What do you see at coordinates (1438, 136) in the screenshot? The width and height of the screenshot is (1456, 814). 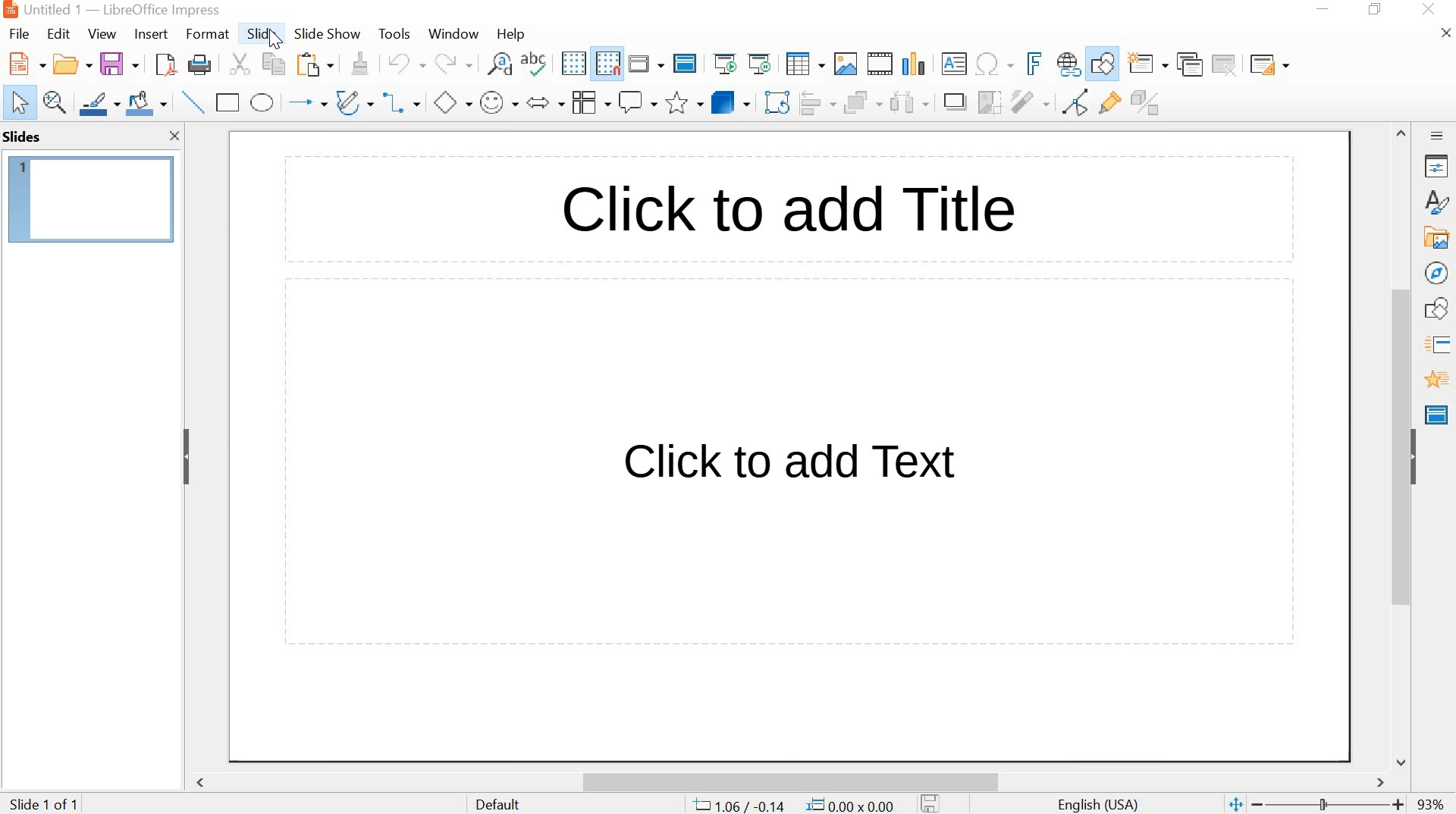 I see `SIDEBAR SETTINGS` at bounding box center [1438, 136].